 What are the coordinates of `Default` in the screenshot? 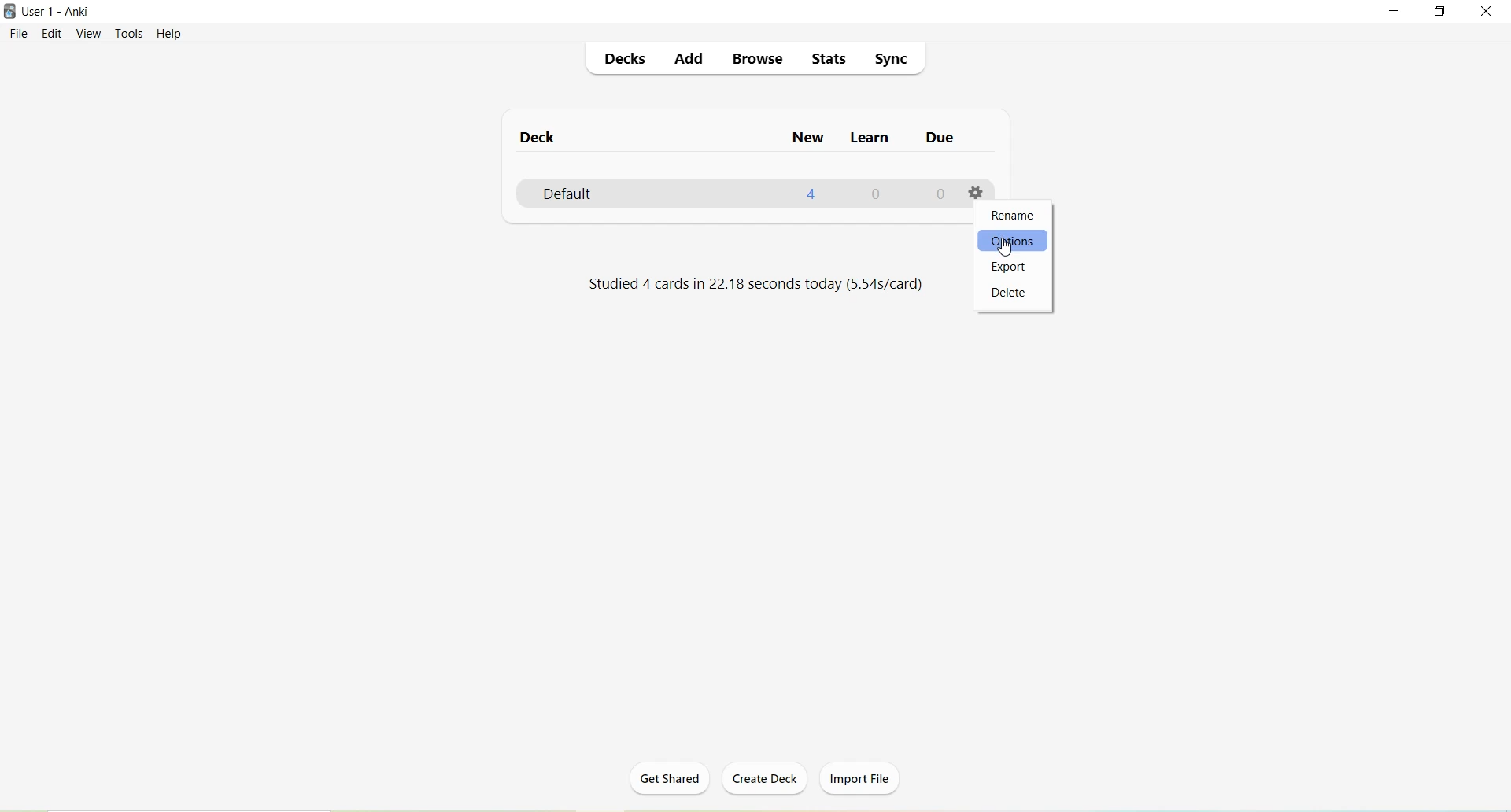 It's located at (586, 194).